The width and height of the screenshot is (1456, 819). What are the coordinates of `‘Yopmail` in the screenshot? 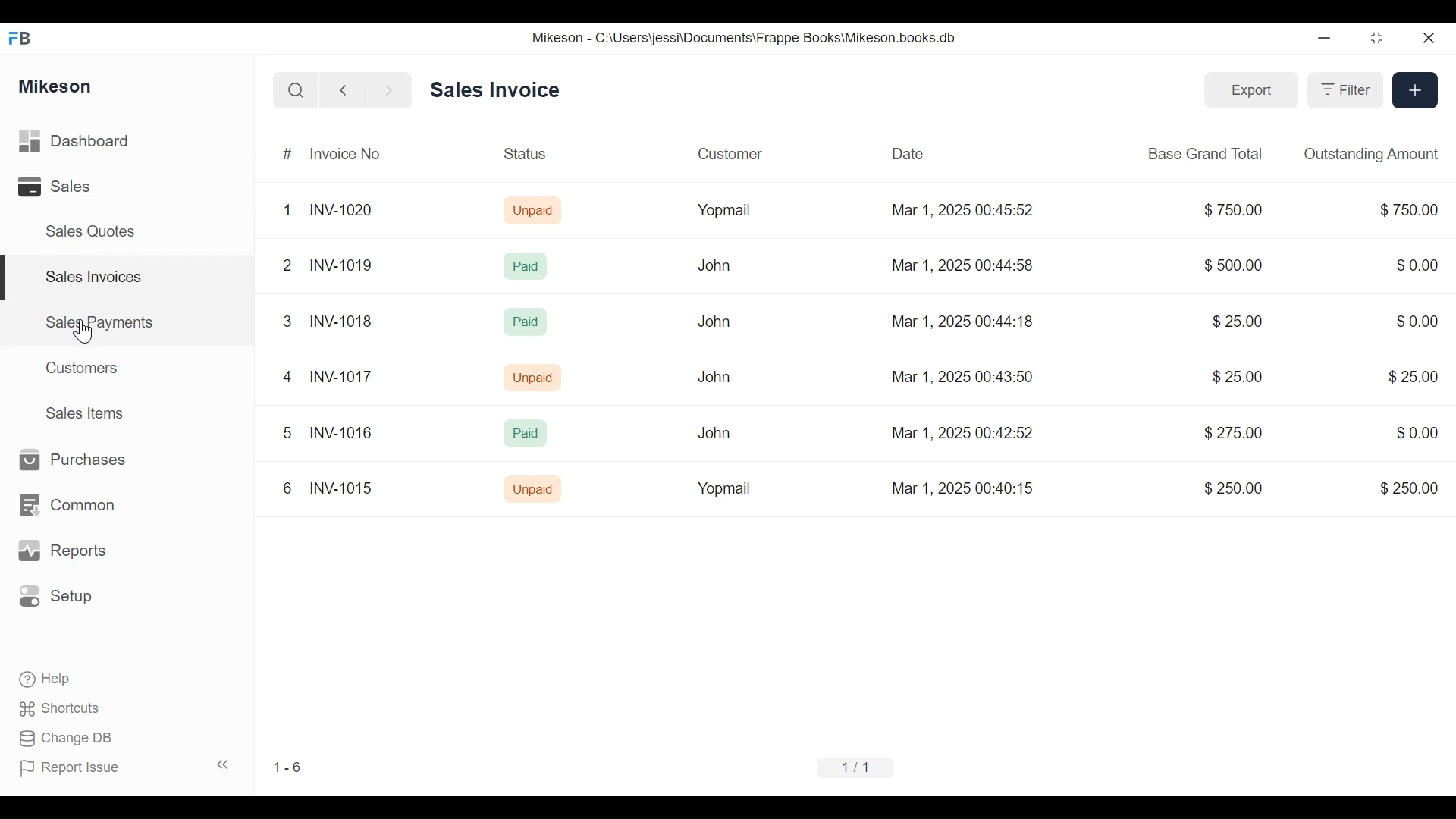 It's located at (722, 491).